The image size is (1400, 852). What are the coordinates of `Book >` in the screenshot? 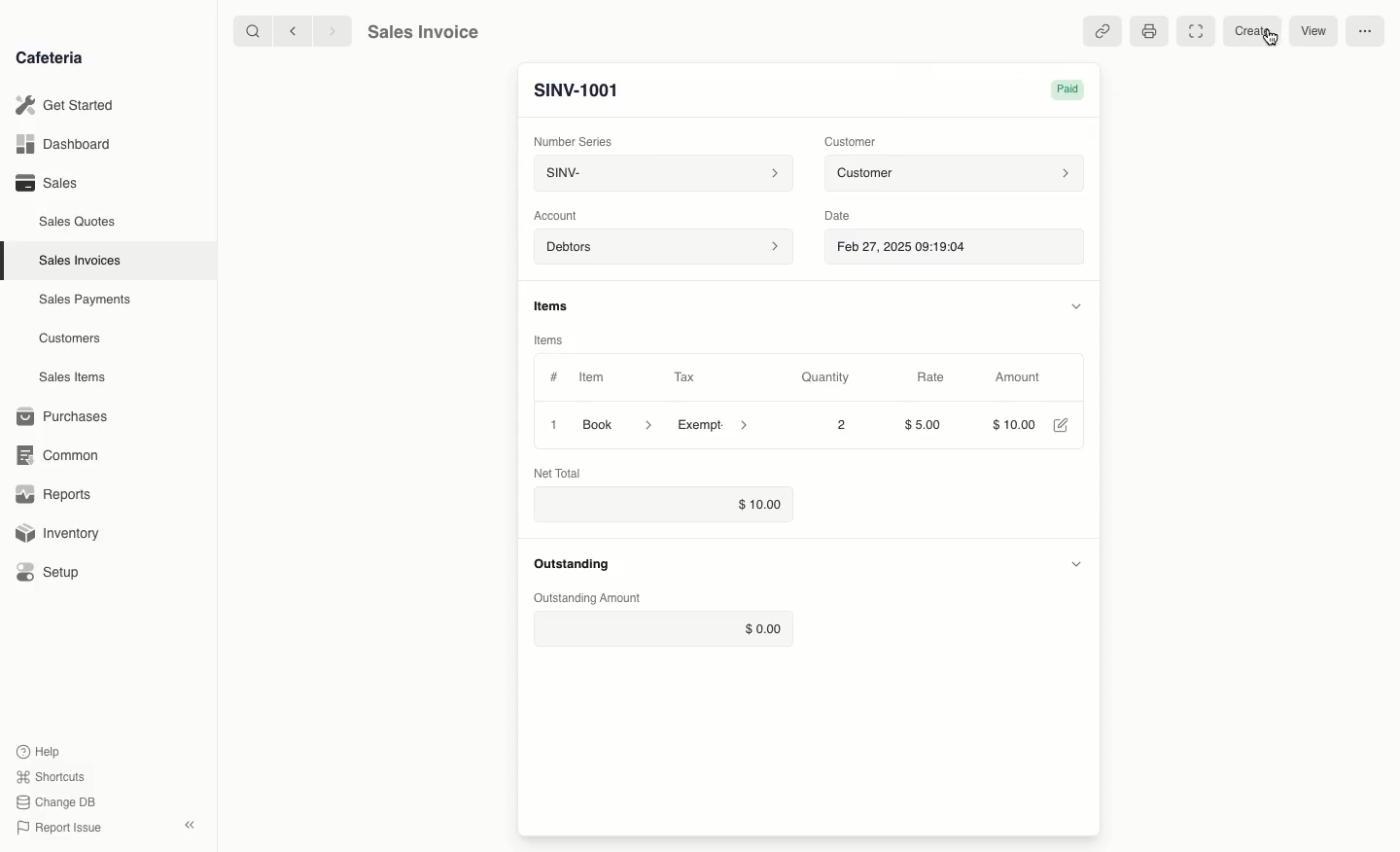 It's located at (619, 423).